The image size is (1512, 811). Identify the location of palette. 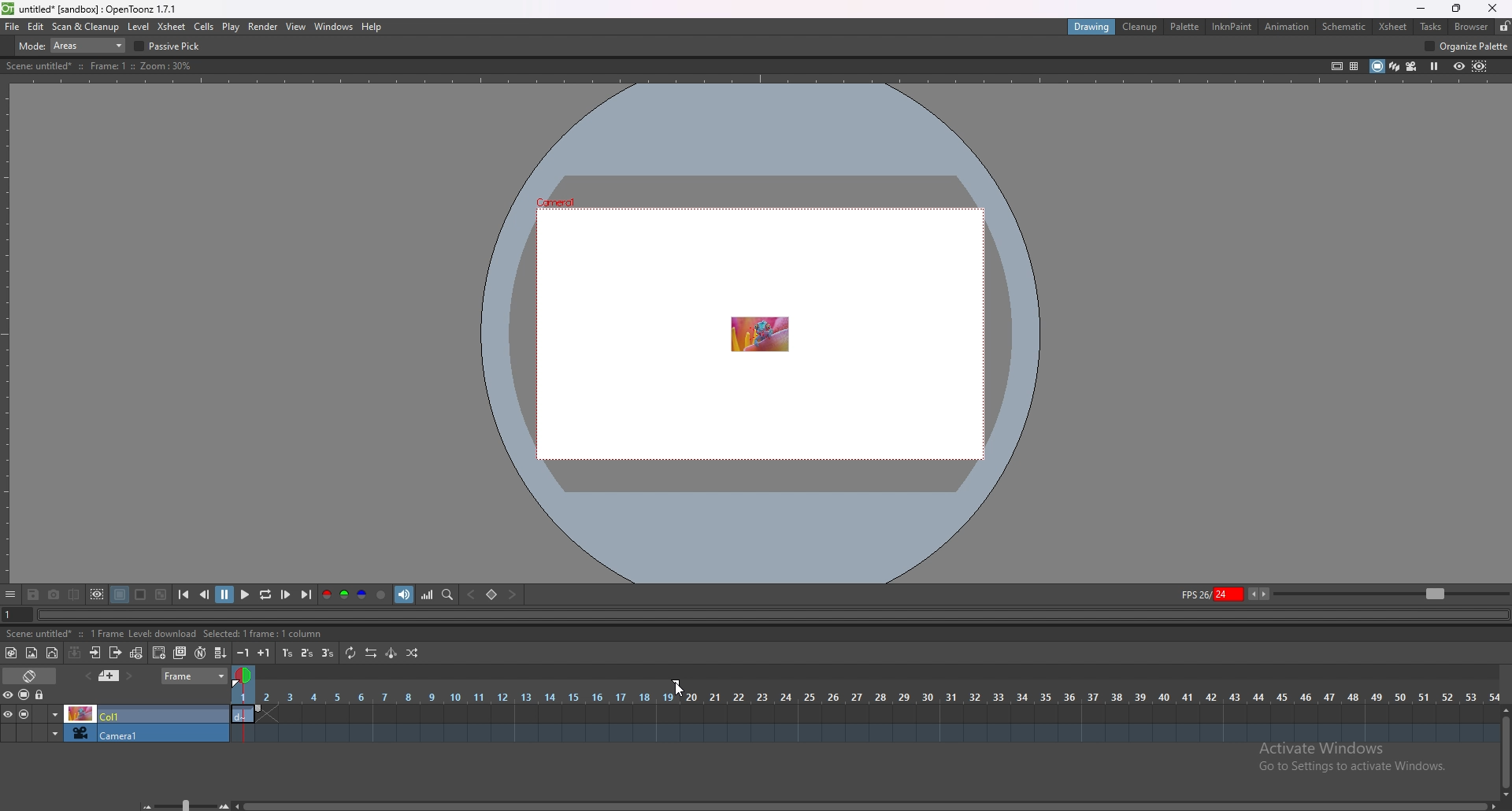
(1186, 27).